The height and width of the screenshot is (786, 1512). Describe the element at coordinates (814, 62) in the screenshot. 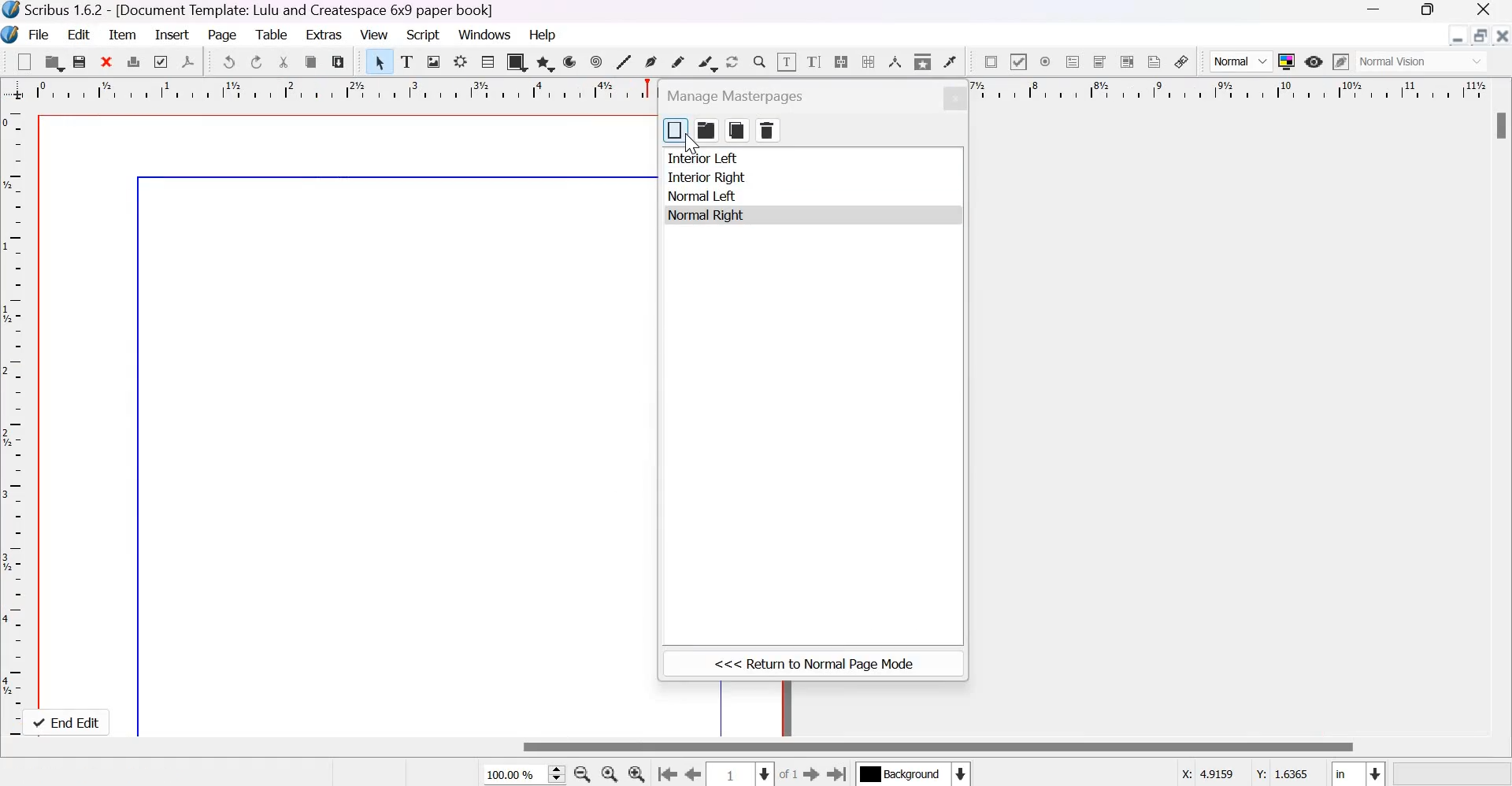

I see `edit text with story editor` at that location.